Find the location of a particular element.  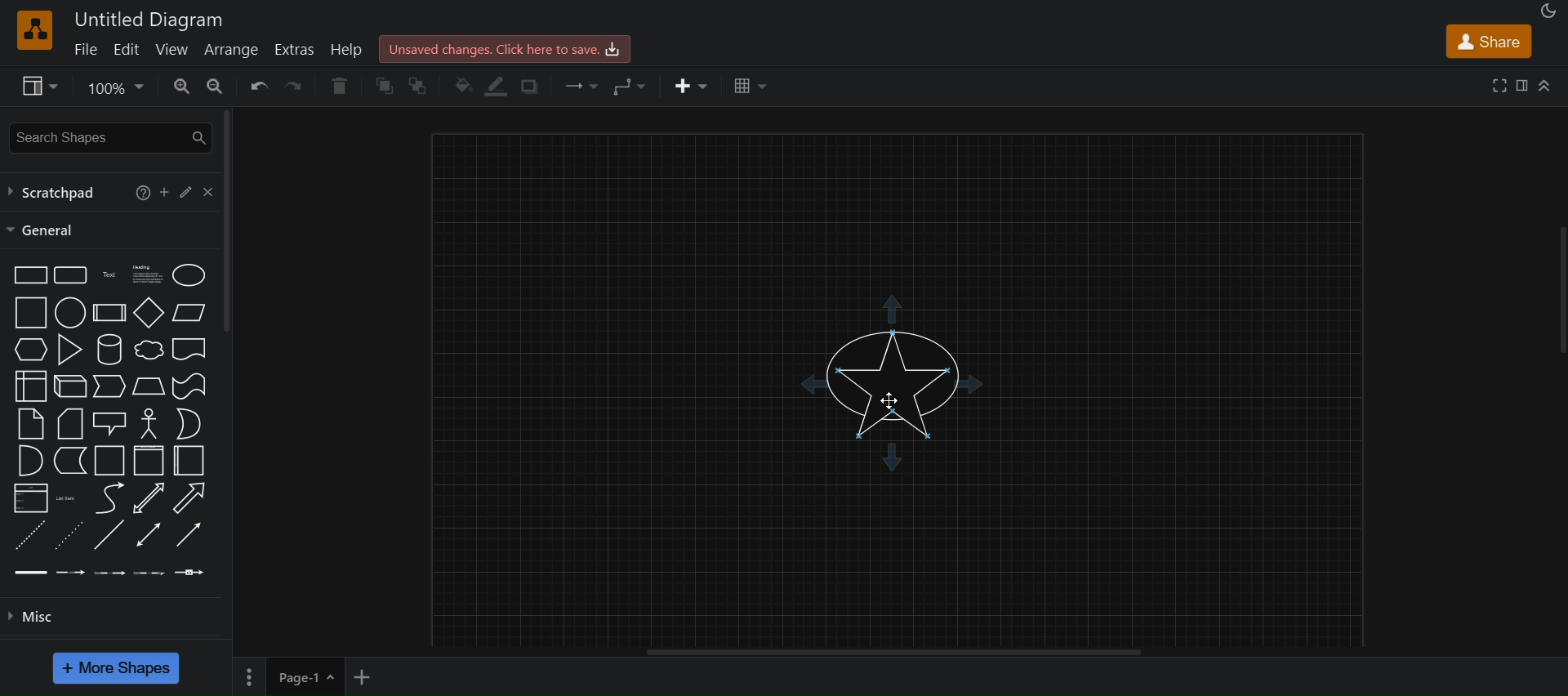

card is located at coordinates (69, 422).